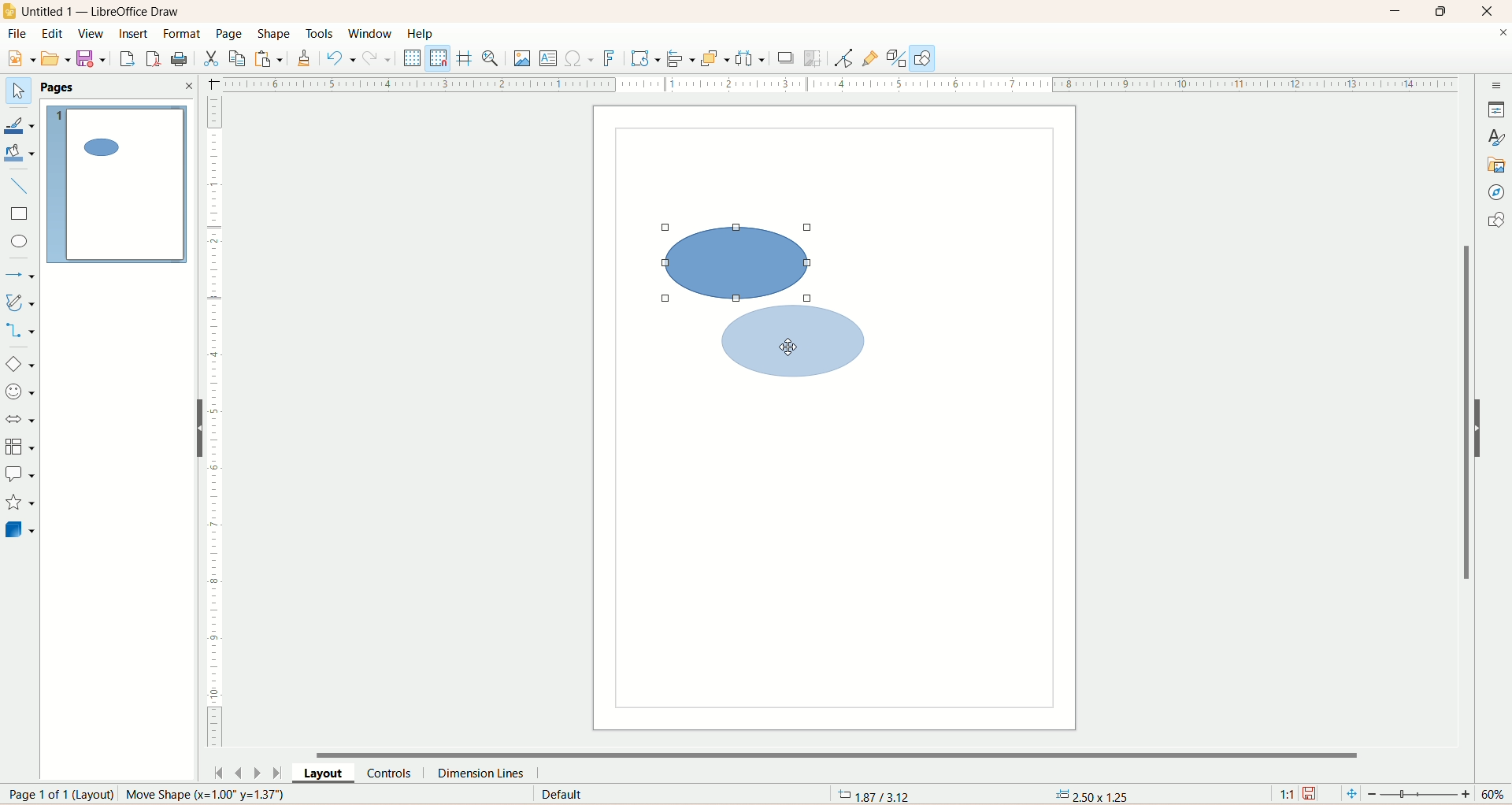  Describe the element at coordinates (1503, 34) in the screenshot. I see `close documents` at that location.